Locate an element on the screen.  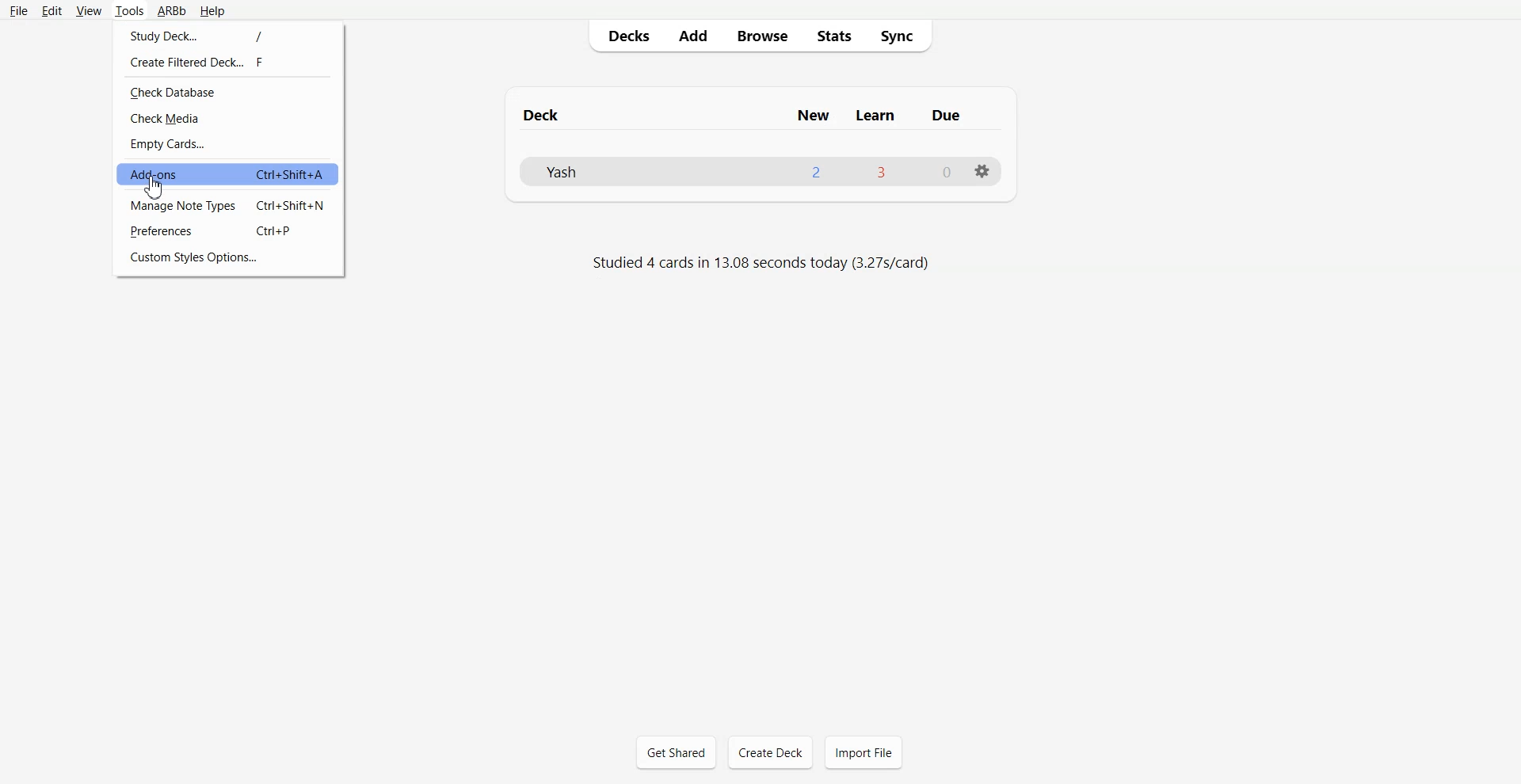
Deck New Learn Due is located at coordinates (754, 114).